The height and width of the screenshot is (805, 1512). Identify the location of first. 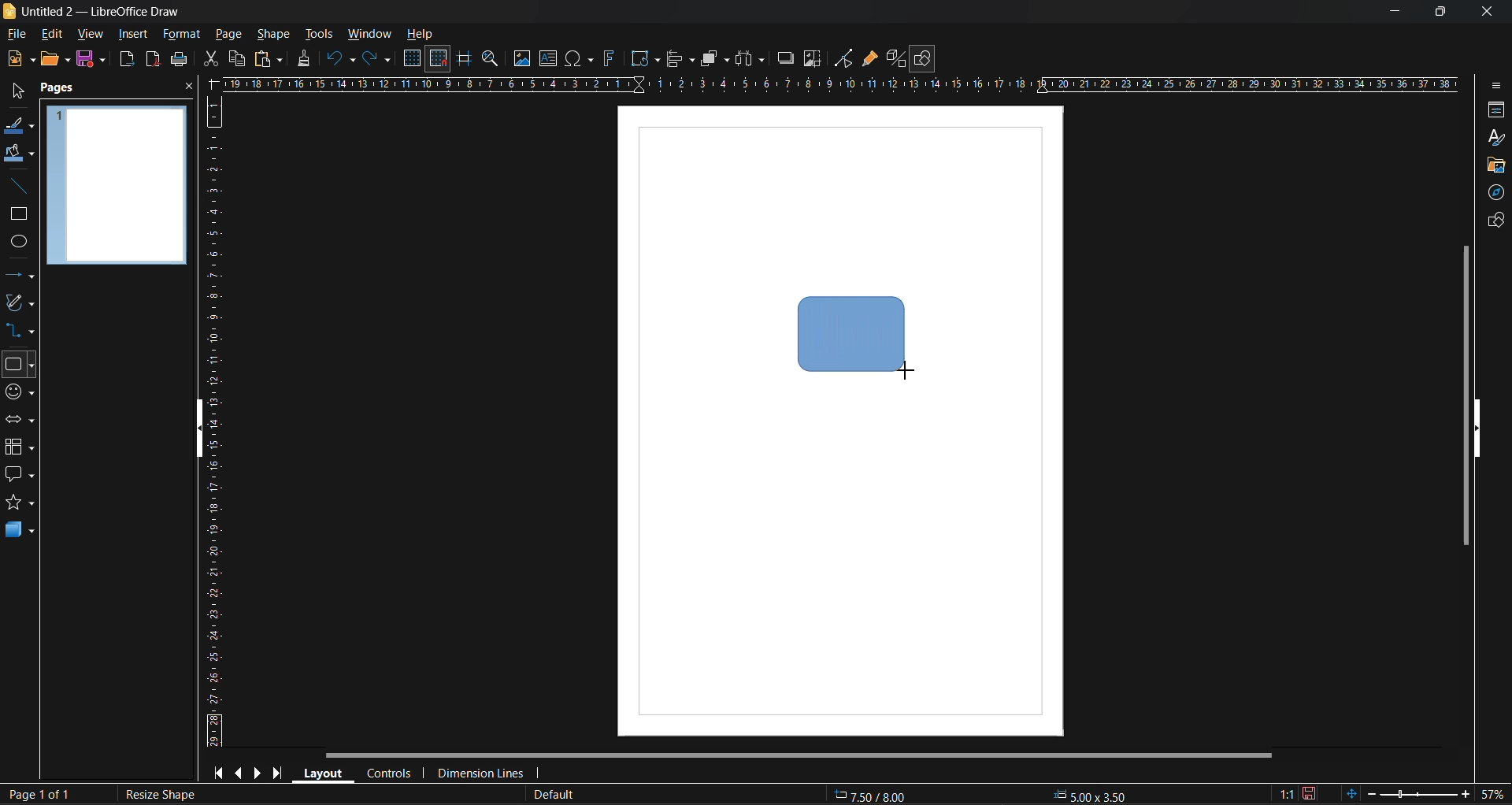
(217, 772).